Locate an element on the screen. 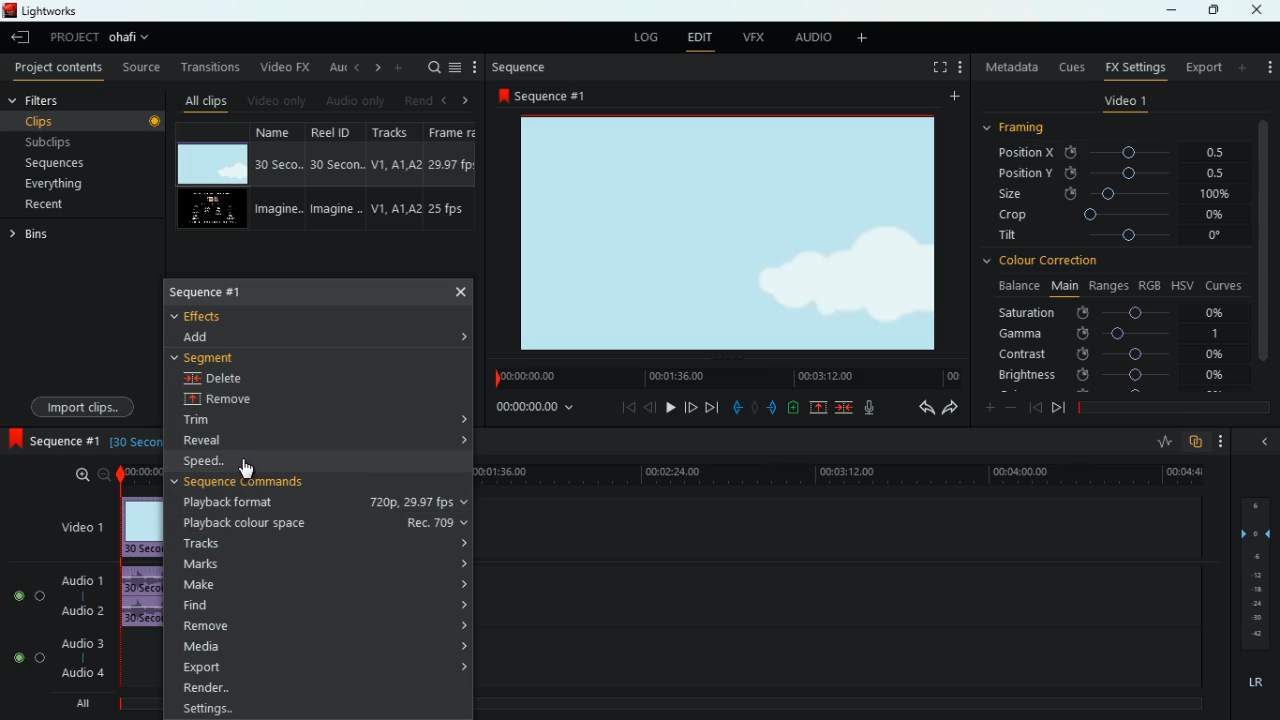 This screenshot has height=720, width=1280. pull is located at coordinates (736, 406).